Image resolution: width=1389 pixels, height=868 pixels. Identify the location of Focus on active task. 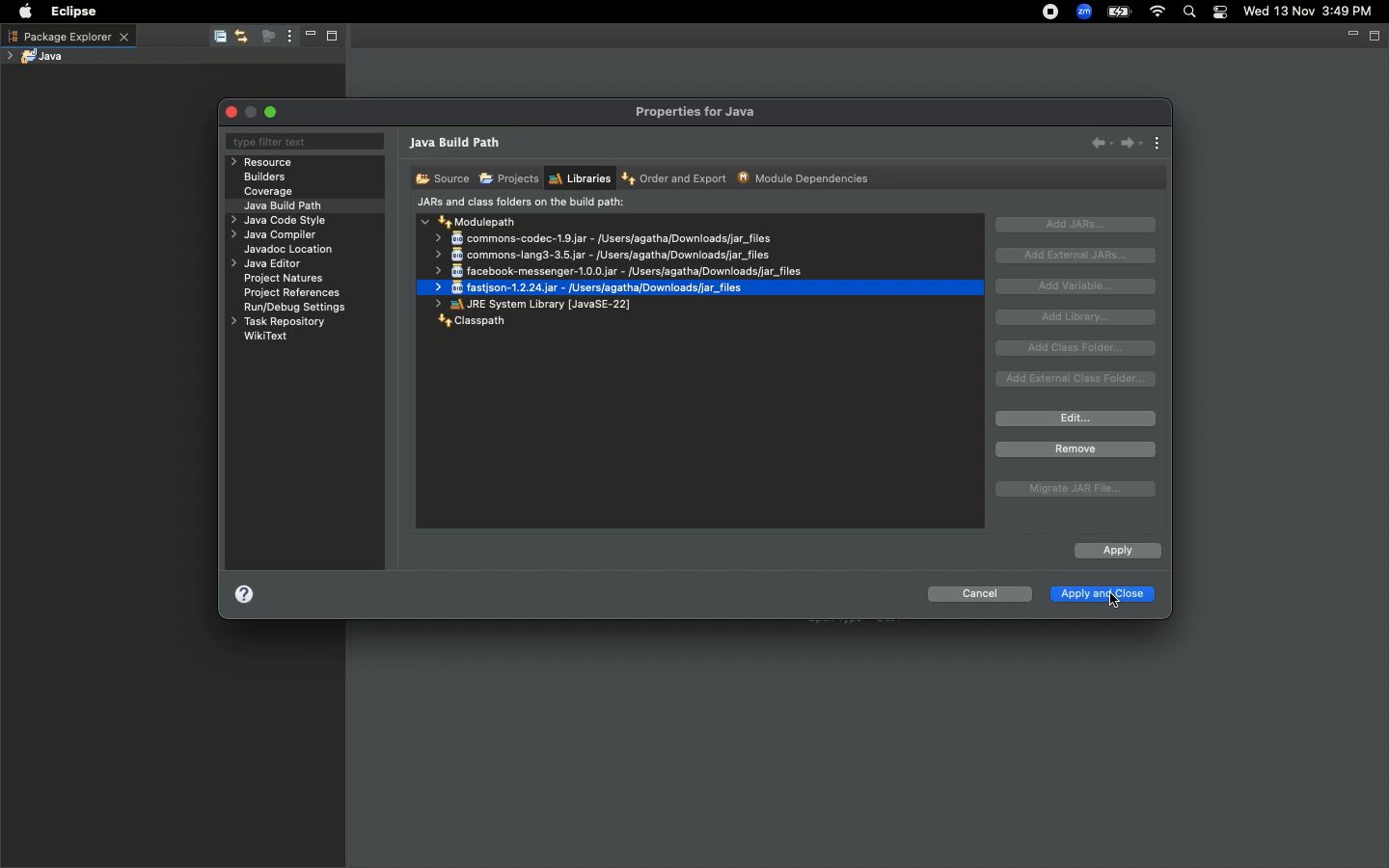
(266, 38).